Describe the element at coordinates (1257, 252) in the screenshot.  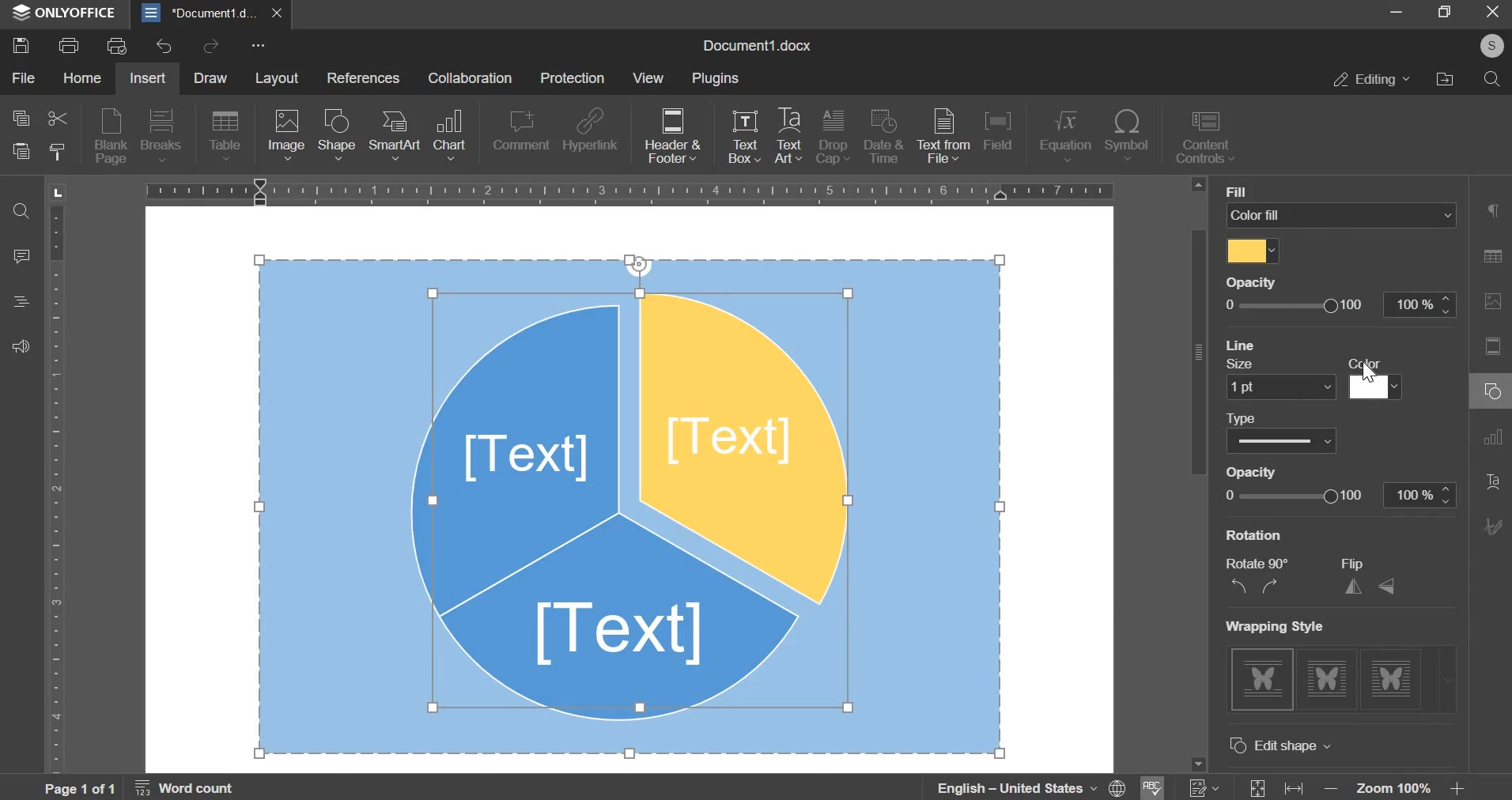
I see `select fill color` at that location.